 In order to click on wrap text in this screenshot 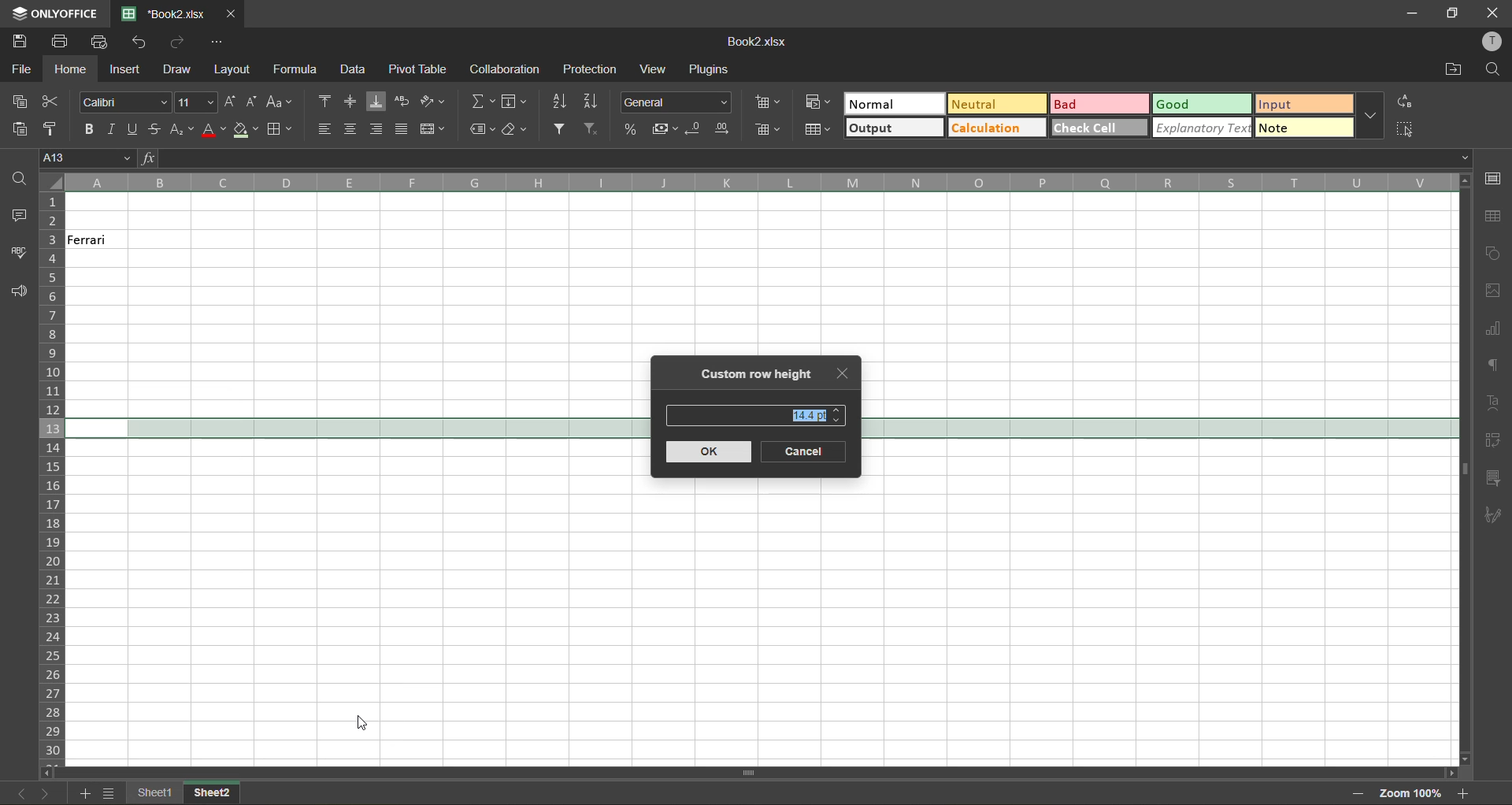, I will do `click(401, 101)`.